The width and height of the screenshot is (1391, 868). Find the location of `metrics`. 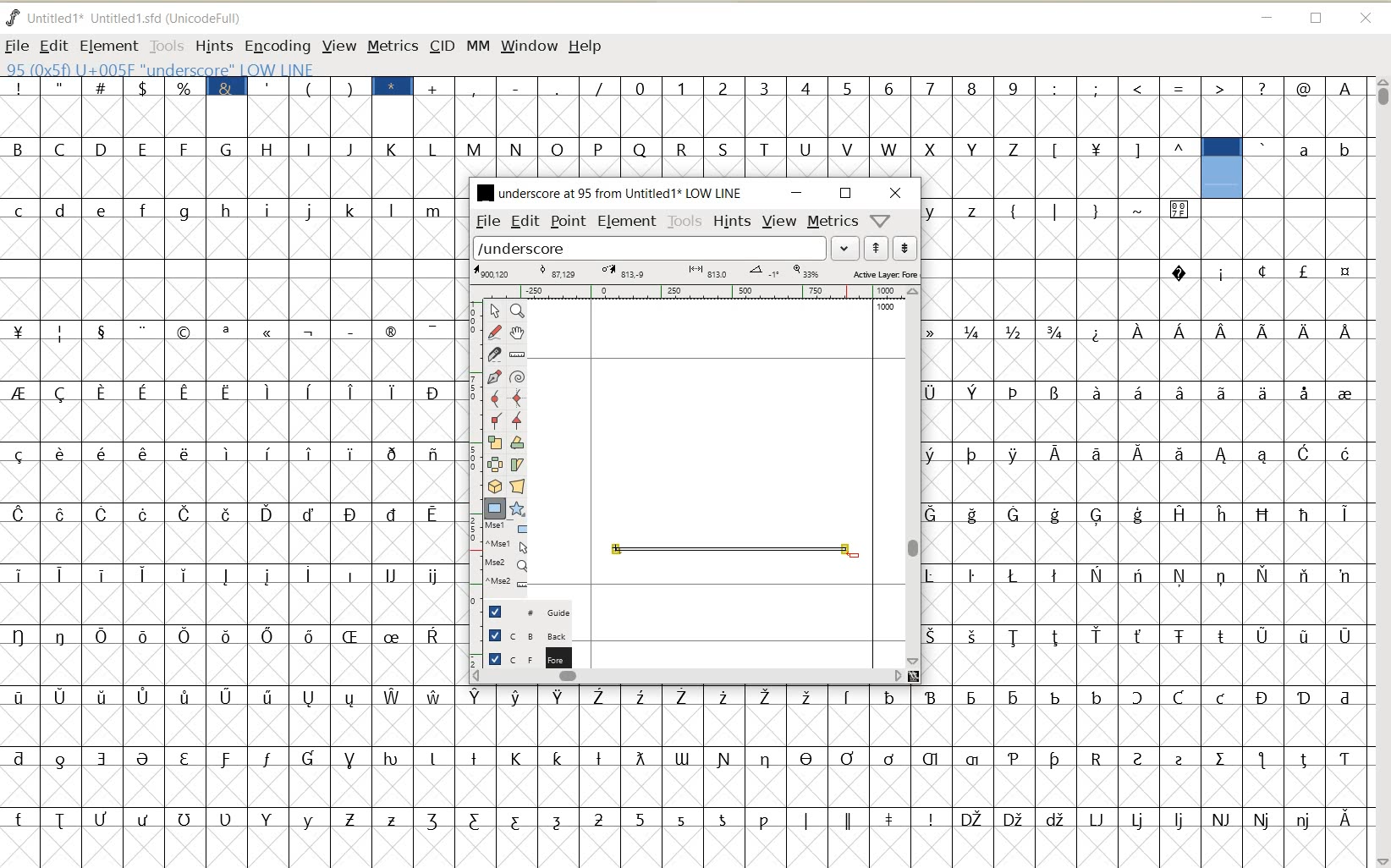

metrics is located at coordinates (832, 220).